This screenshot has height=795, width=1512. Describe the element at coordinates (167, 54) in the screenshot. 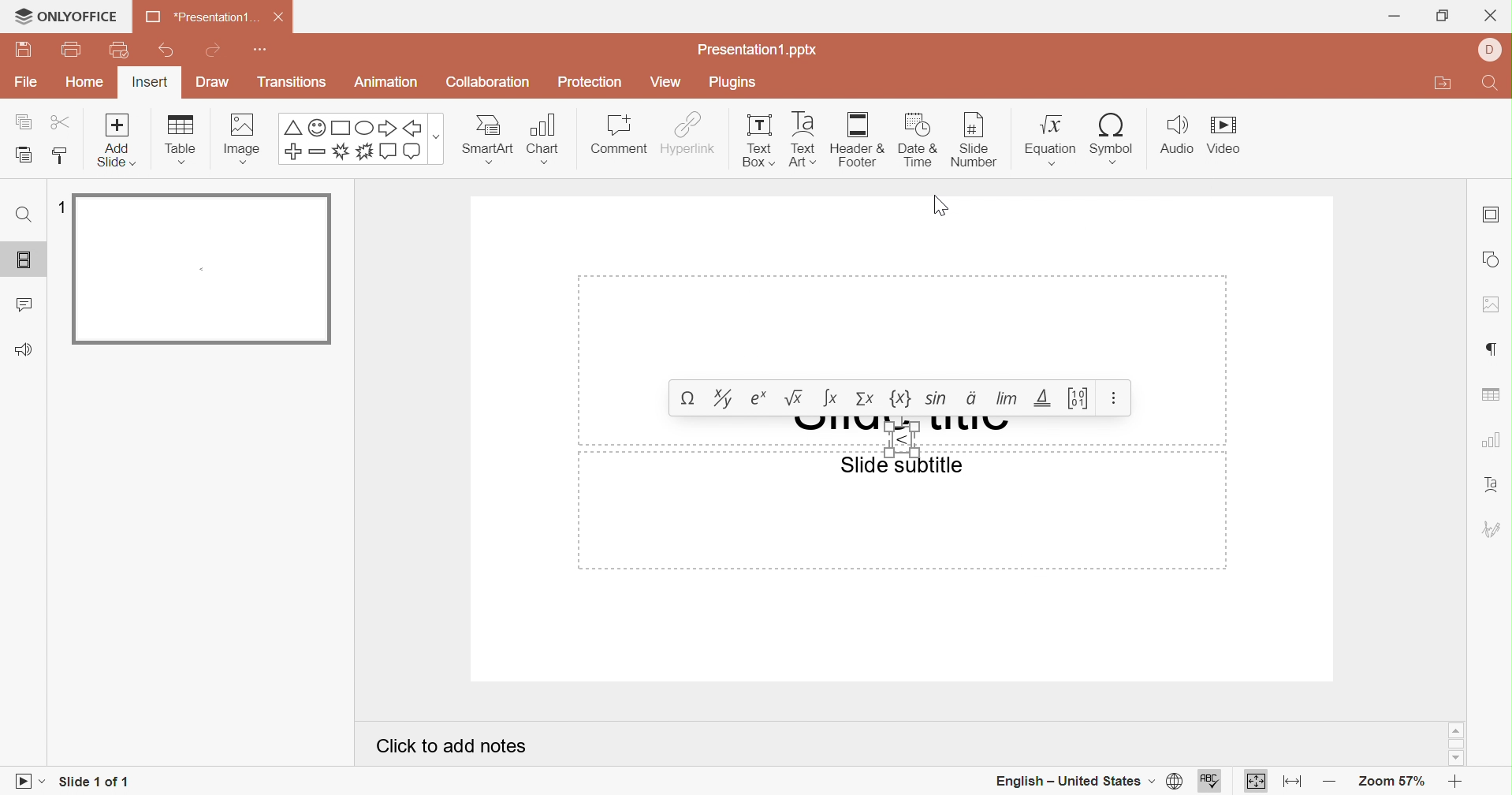

I see `Undo` at that location.